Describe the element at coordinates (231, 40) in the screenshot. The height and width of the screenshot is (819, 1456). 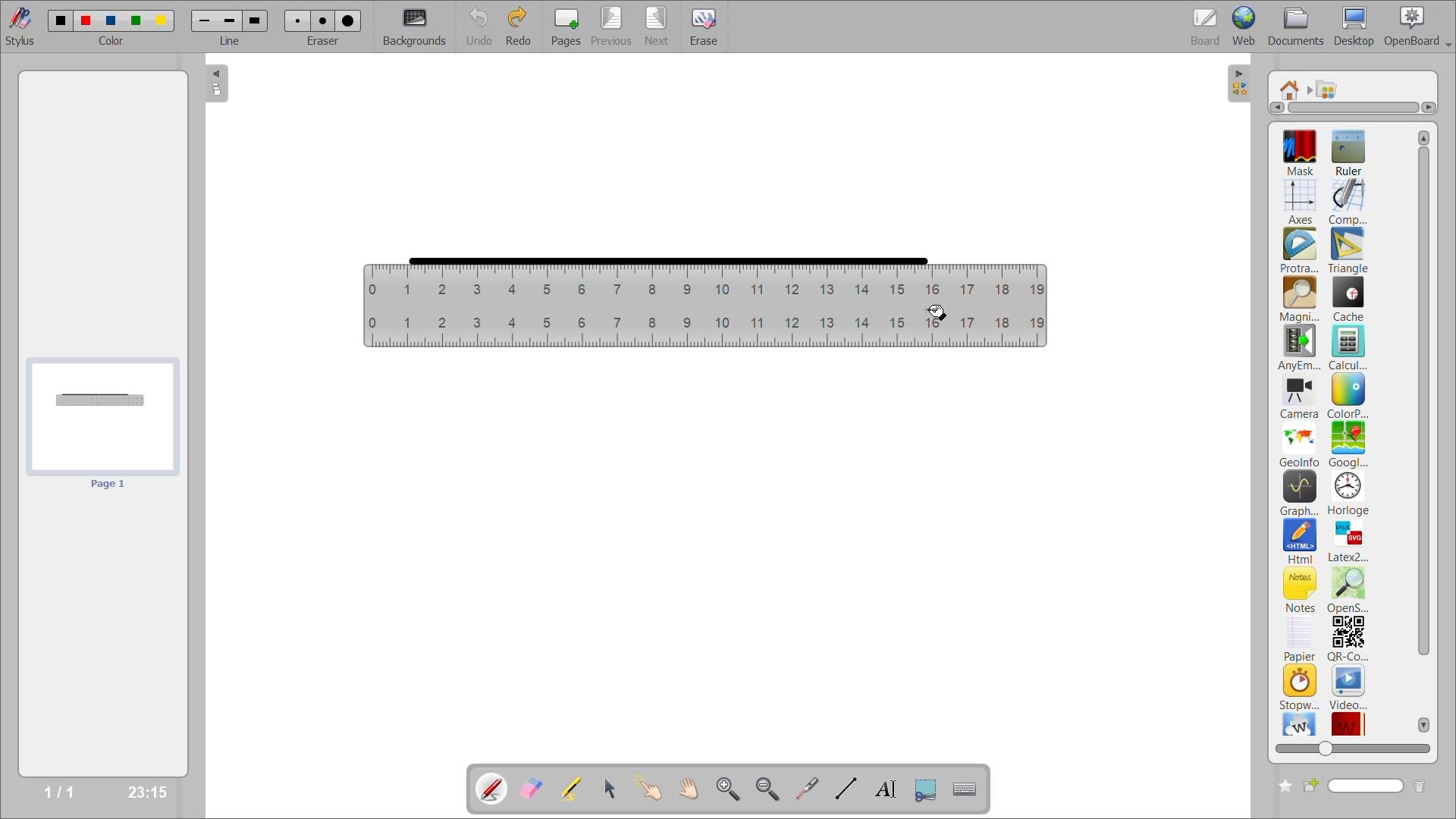
I see `line ` at that location.